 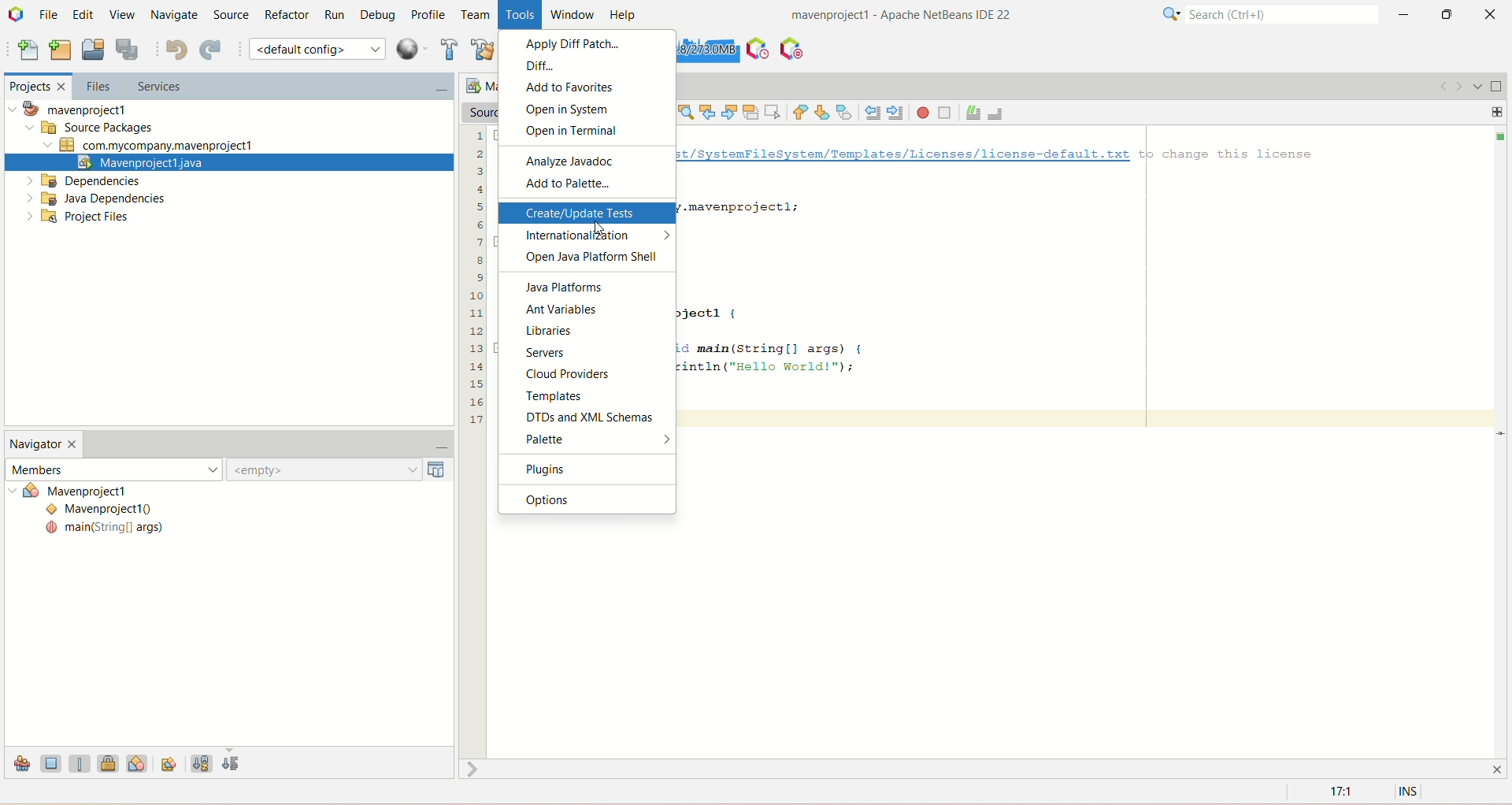 What do you see at coordinates (589, 65) in the screenshot?
I see `diff` at bounding box center [589, 65].